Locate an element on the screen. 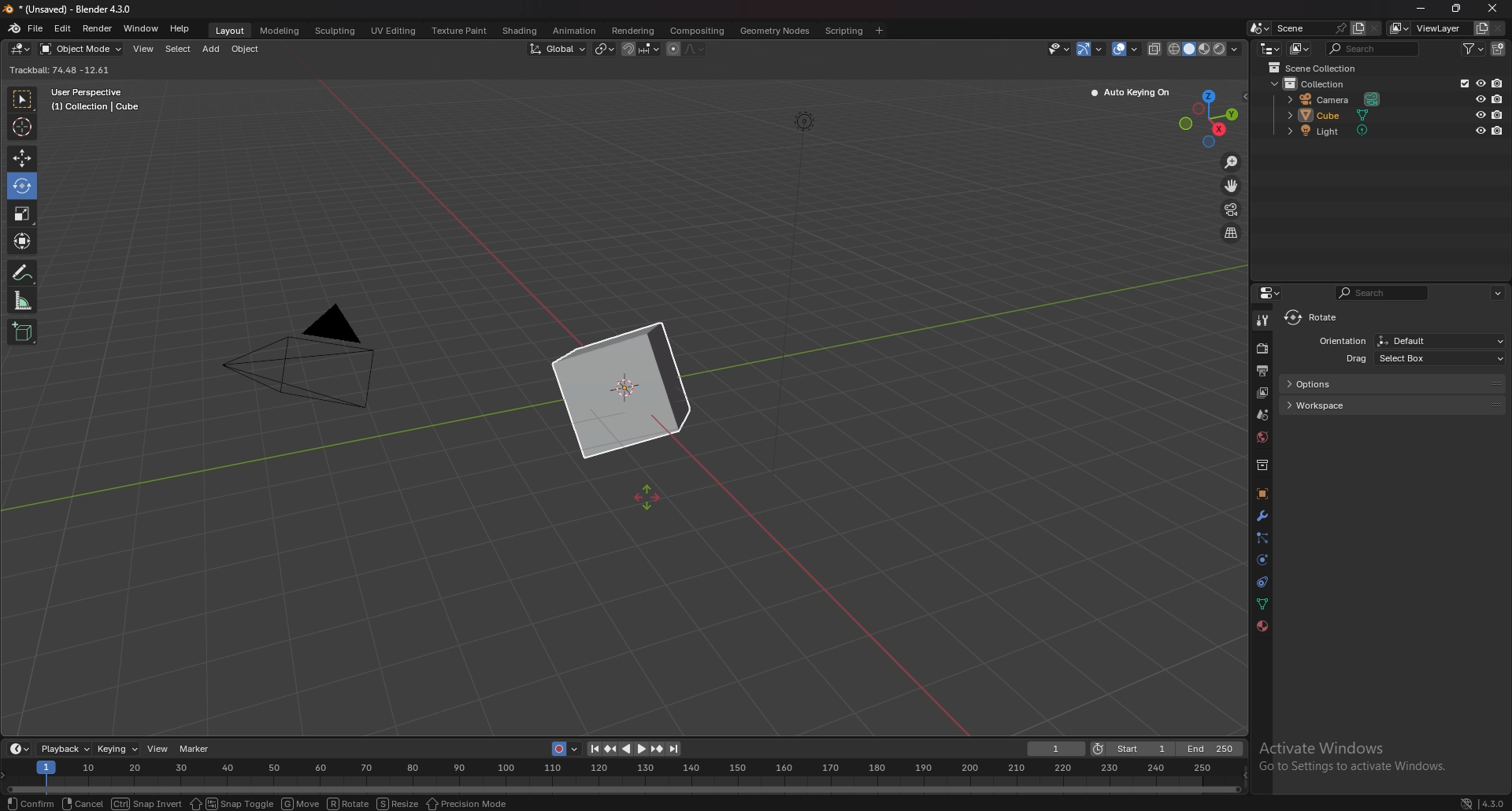 Image resolution: width=1512 pixels, height=811 pixels. proportional editing falloff is located at coordinates (694, 49).